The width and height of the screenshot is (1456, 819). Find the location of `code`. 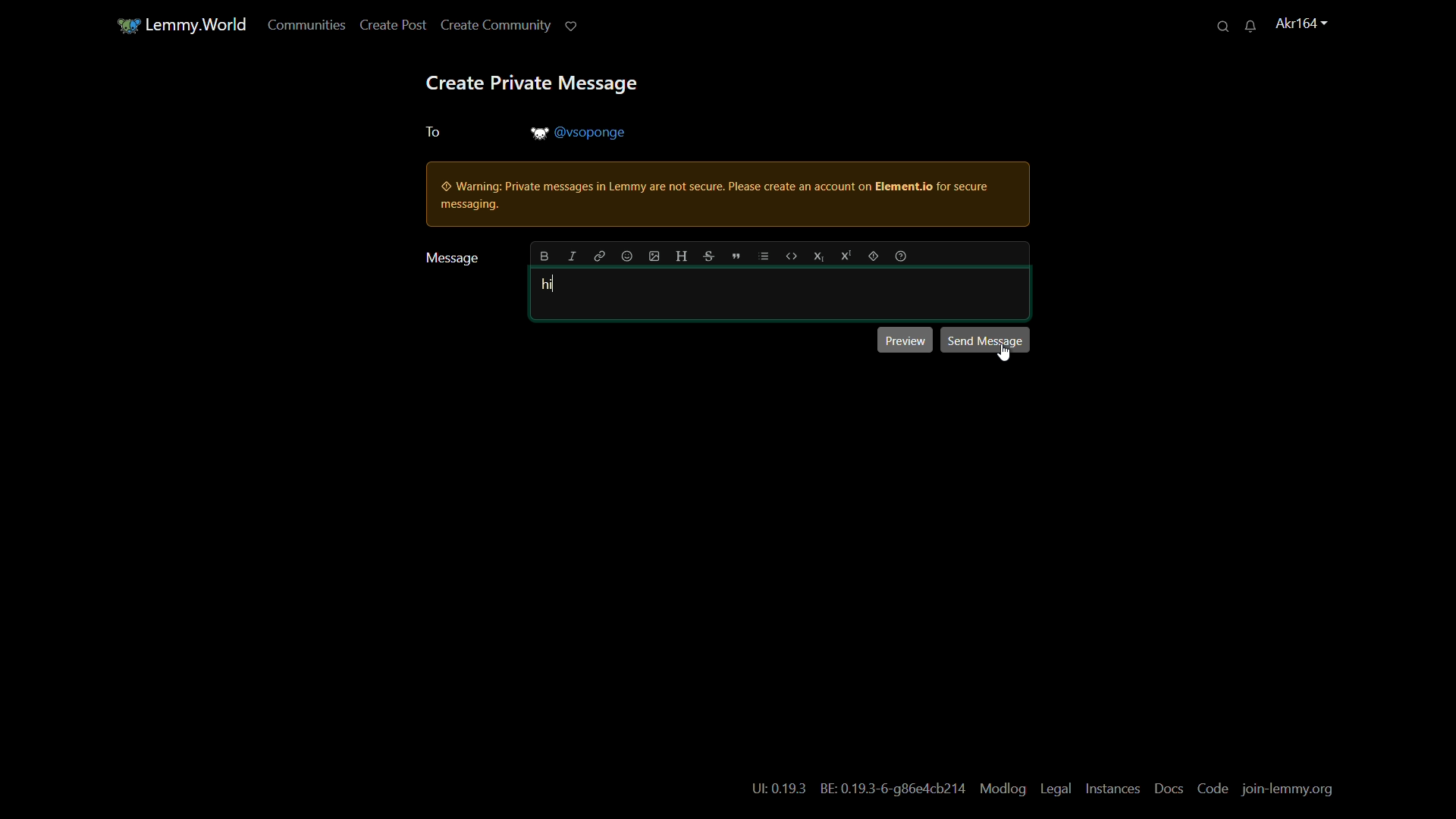

code is located at coordinates (1212, 791).